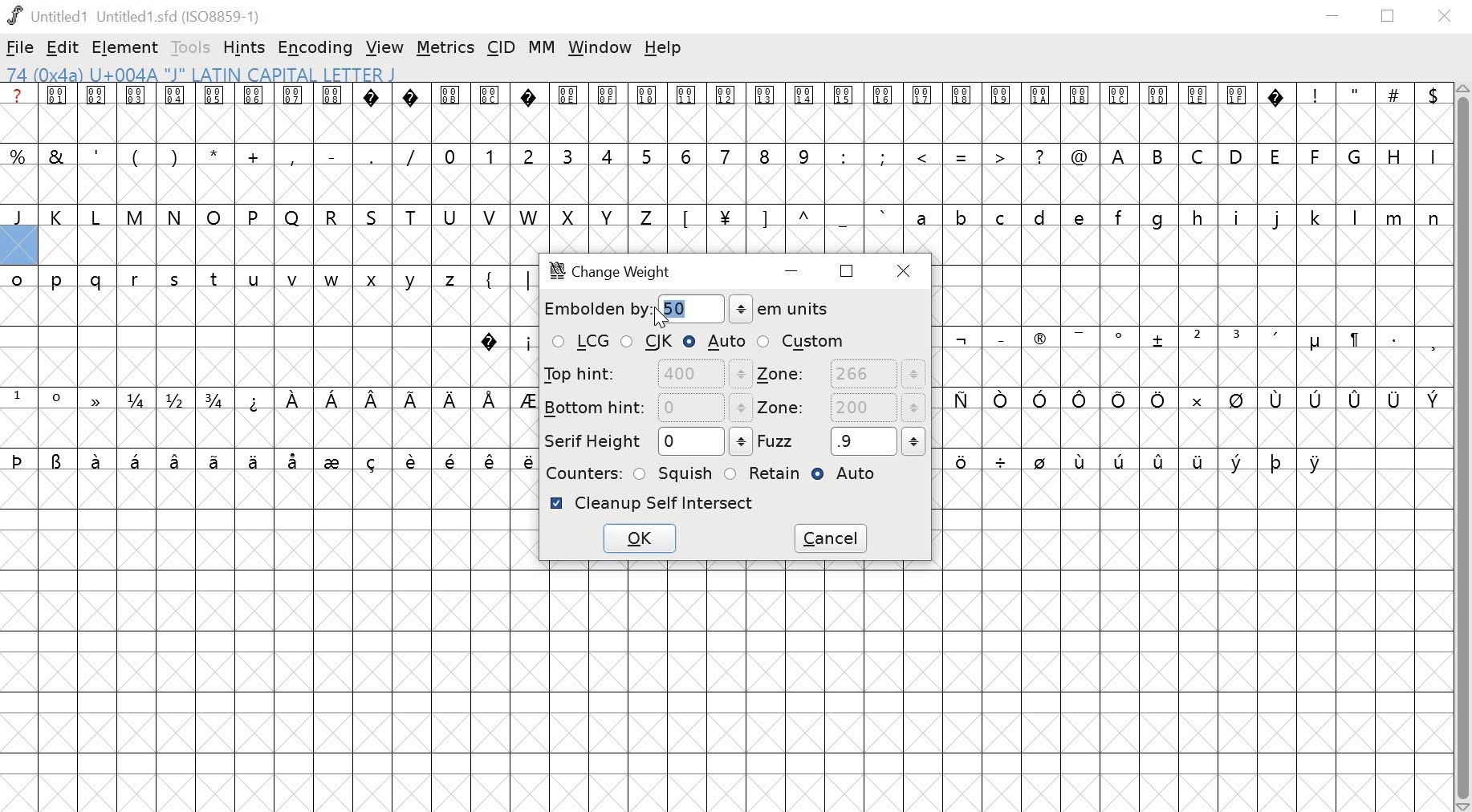  What do you see at coordinates (674, 472) in the screenshot?
I see `SQUISH` at bounding box center [674, 472].